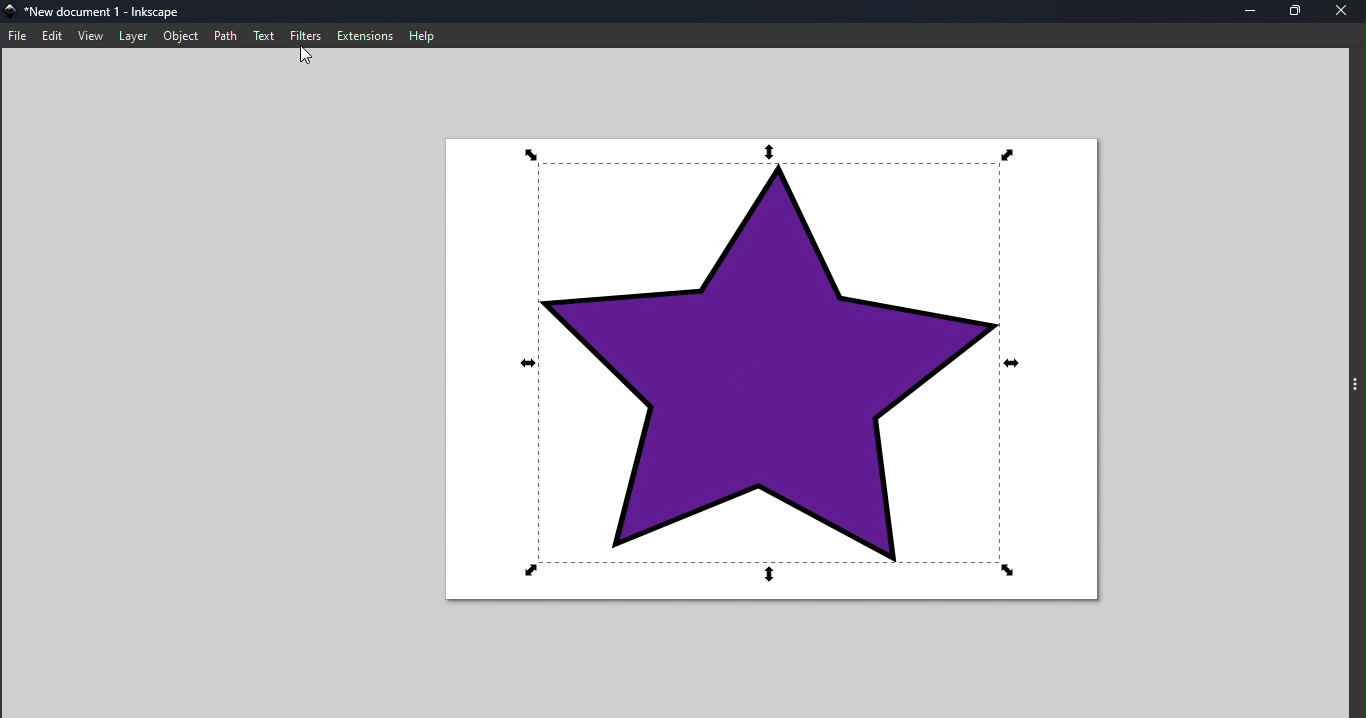 The height and width of the screenshot is (718, 1366). I want to click on Minimize, so click(1257, 13).